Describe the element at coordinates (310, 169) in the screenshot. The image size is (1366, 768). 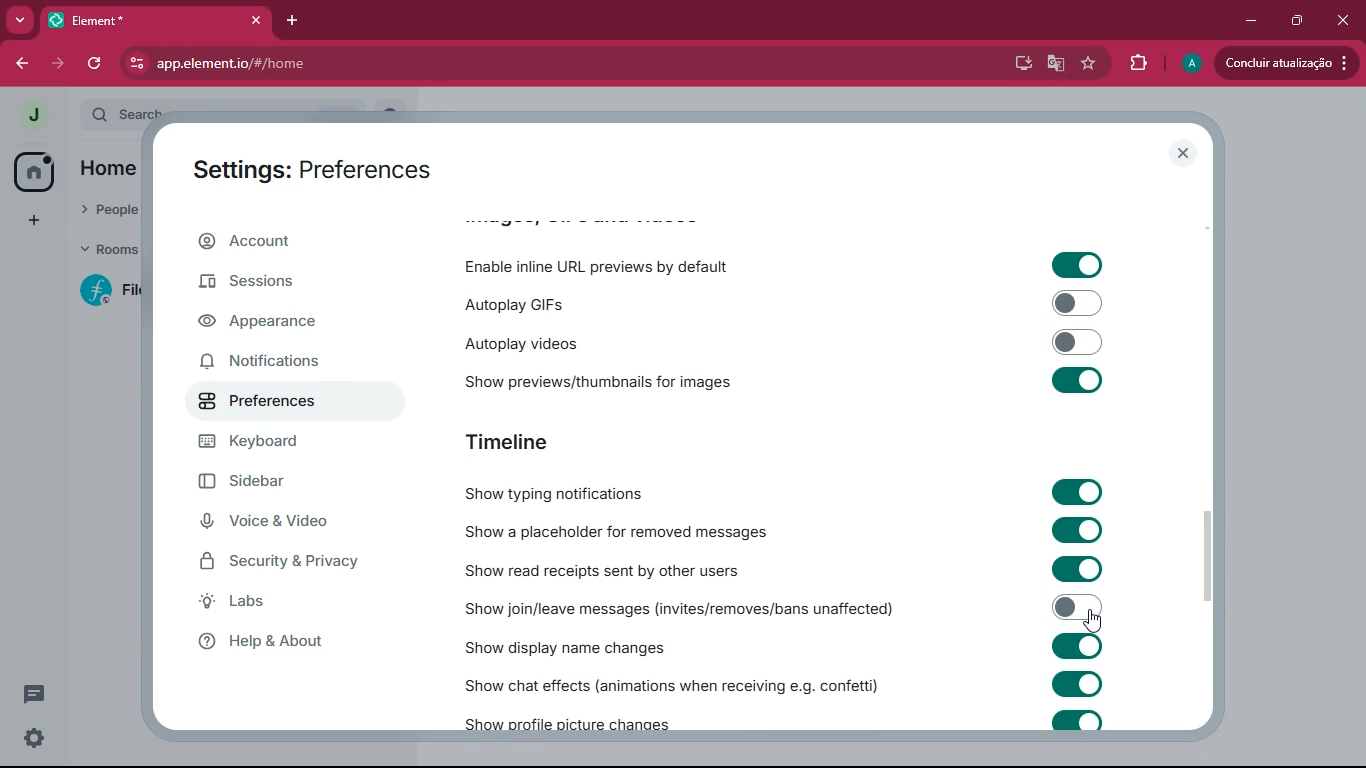
I see `settings: preferences` at that location.